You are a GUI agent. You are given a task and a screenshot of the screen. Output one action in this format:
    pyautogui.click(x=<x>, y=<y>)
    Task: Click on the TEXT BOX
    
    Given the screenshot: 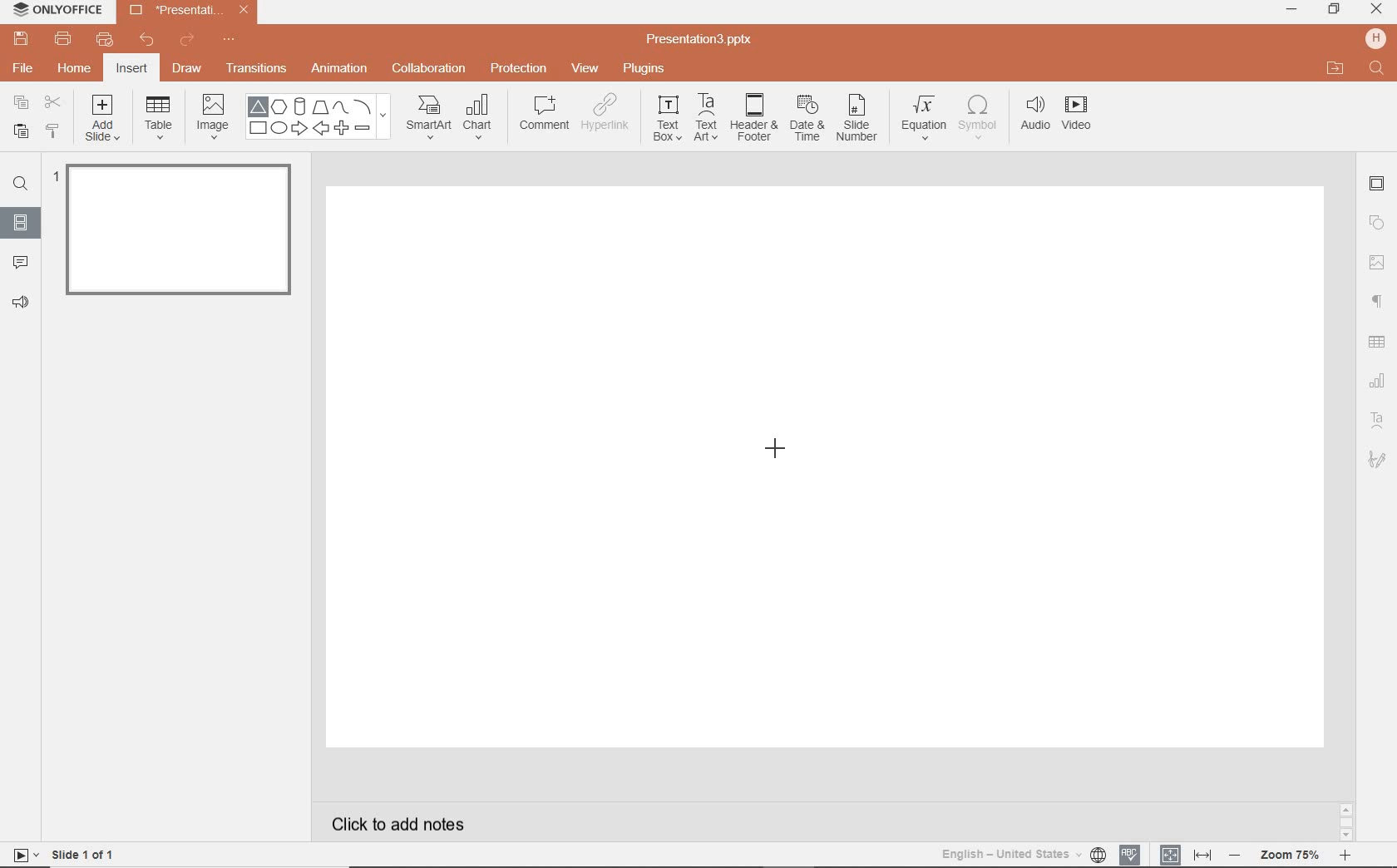 What is the action you would take?
    pyautogui.click(x=666, y=118)
    